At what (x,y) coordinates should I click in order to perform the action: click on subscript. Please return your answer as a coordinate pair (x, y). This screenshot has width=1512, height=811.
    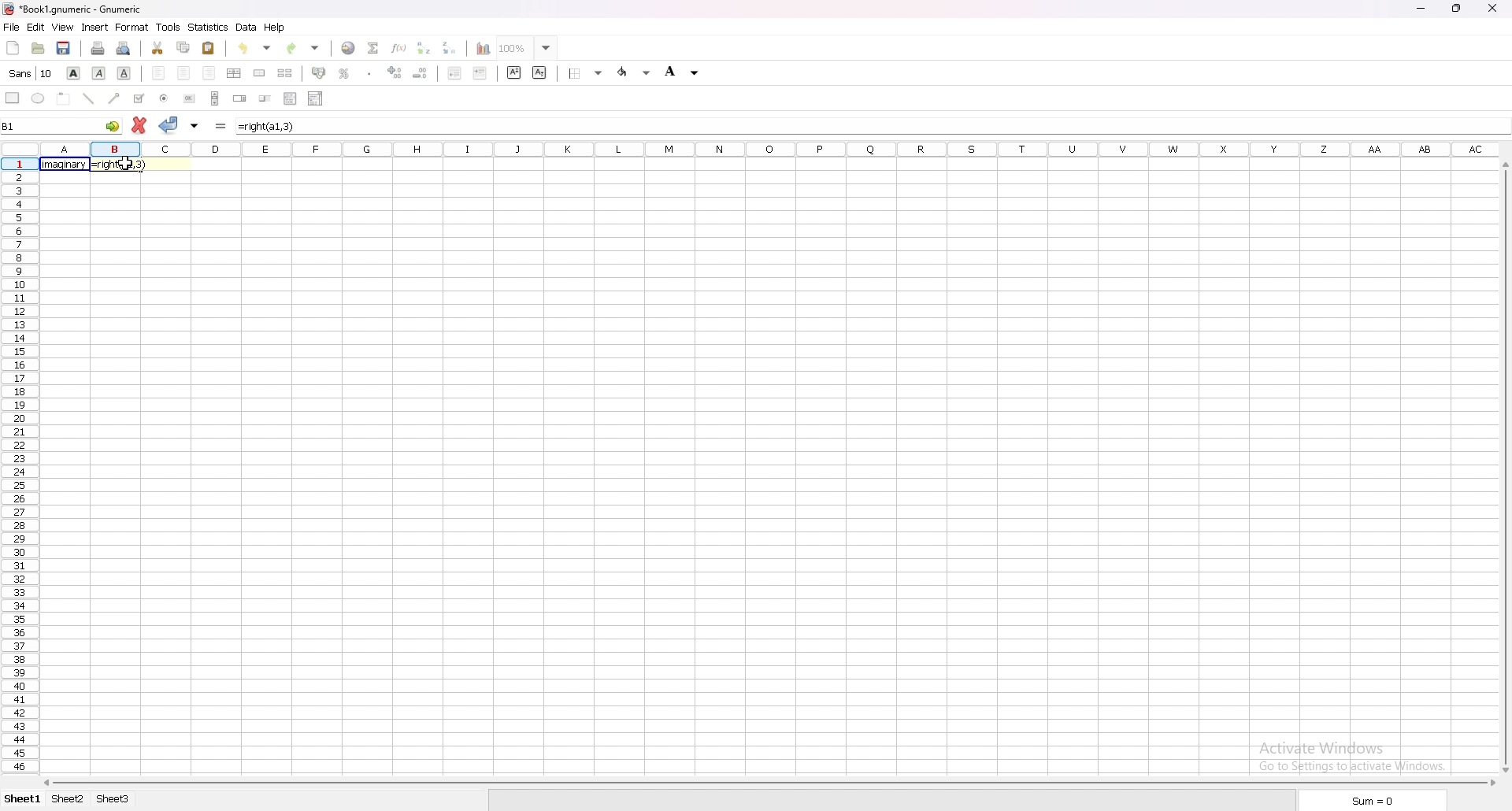
    Looking at the image, I should click on (540, 72).